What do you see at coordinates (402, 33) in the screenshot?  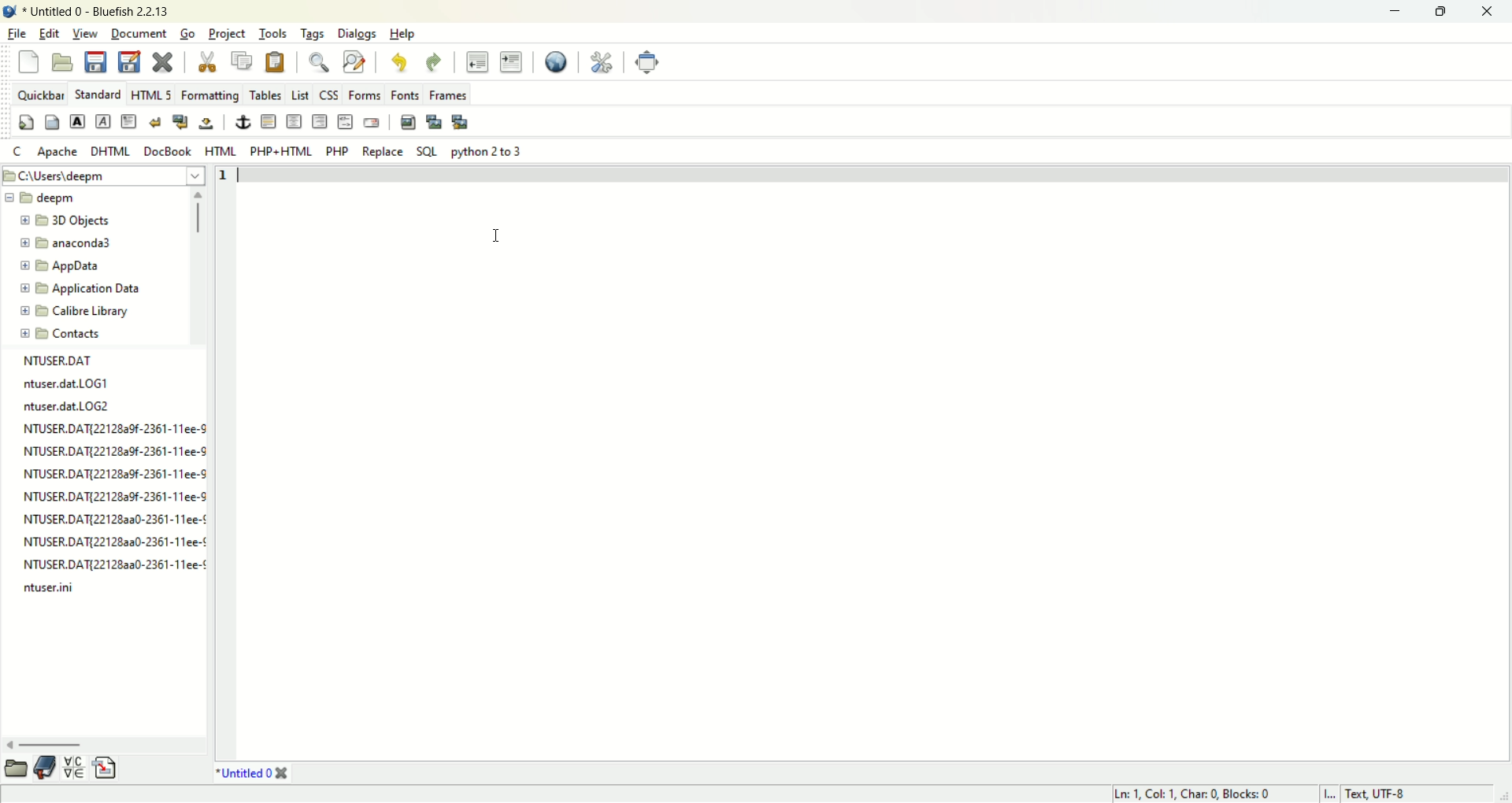 I see `help` at bounding box center [402, 33].